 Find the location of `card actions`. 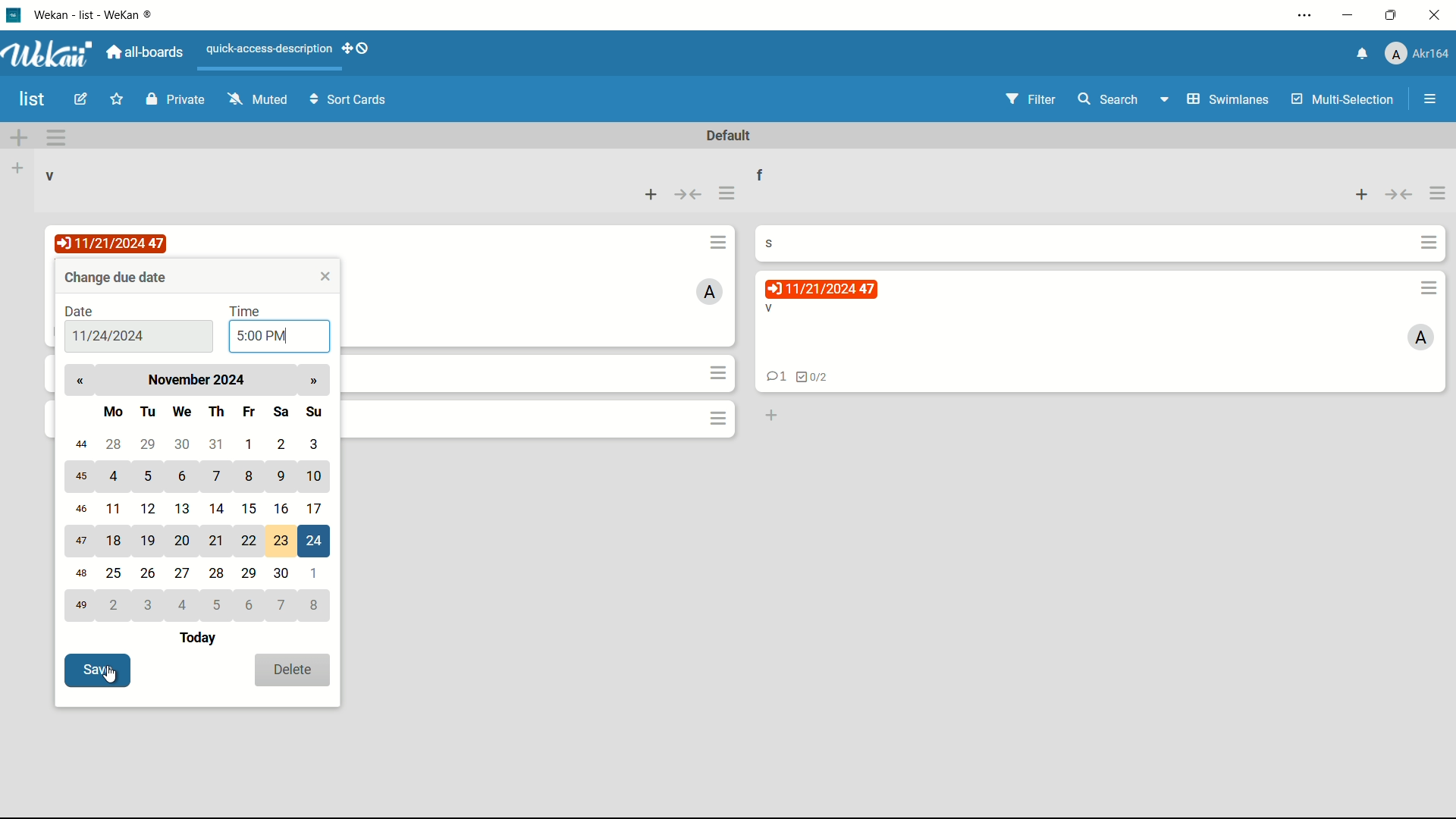

card actions is located at coordinates (1429, 243).